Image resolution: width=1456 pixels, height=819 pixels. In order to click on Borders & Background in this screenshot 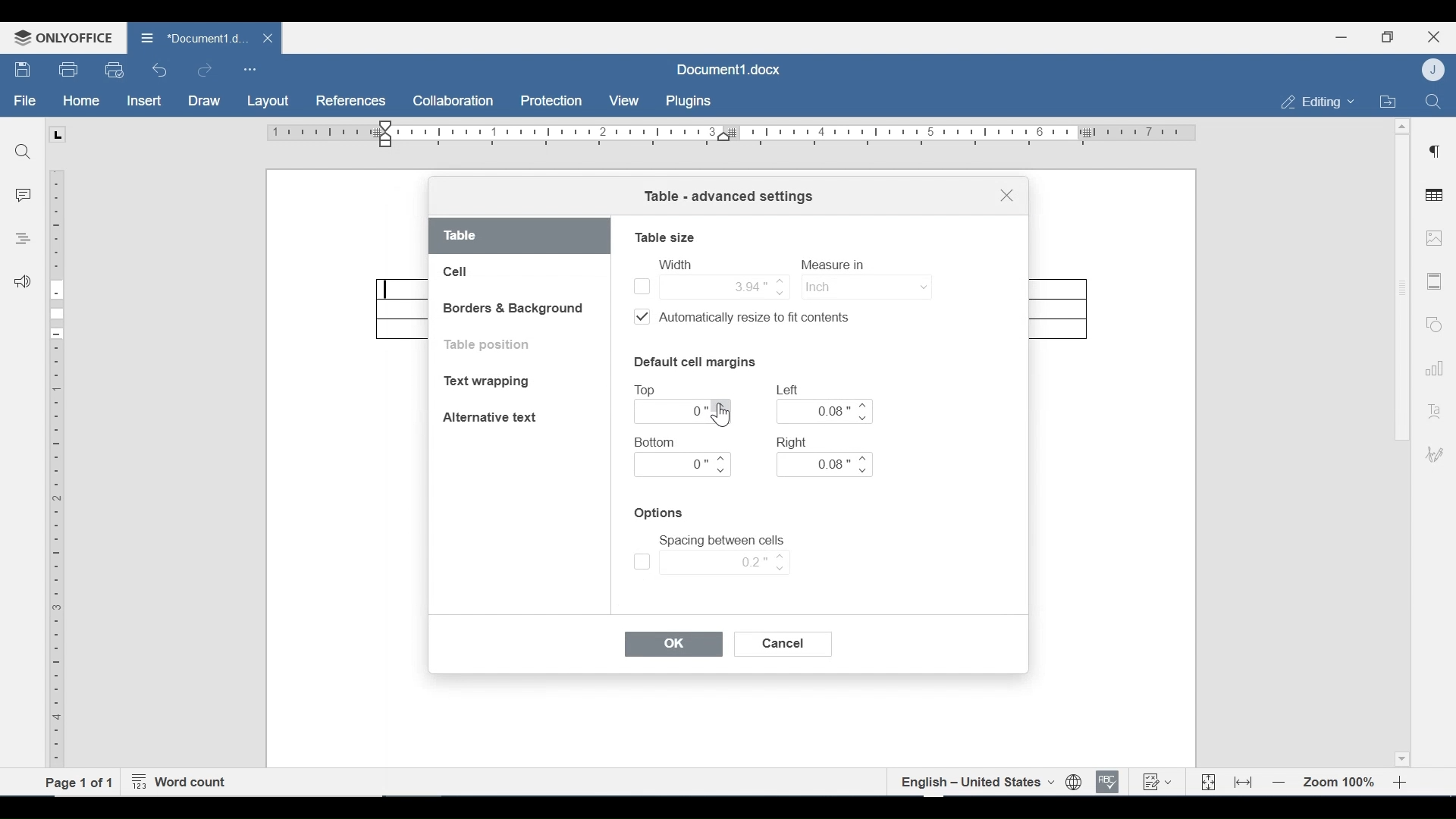, I will do `click(515, 309)`.